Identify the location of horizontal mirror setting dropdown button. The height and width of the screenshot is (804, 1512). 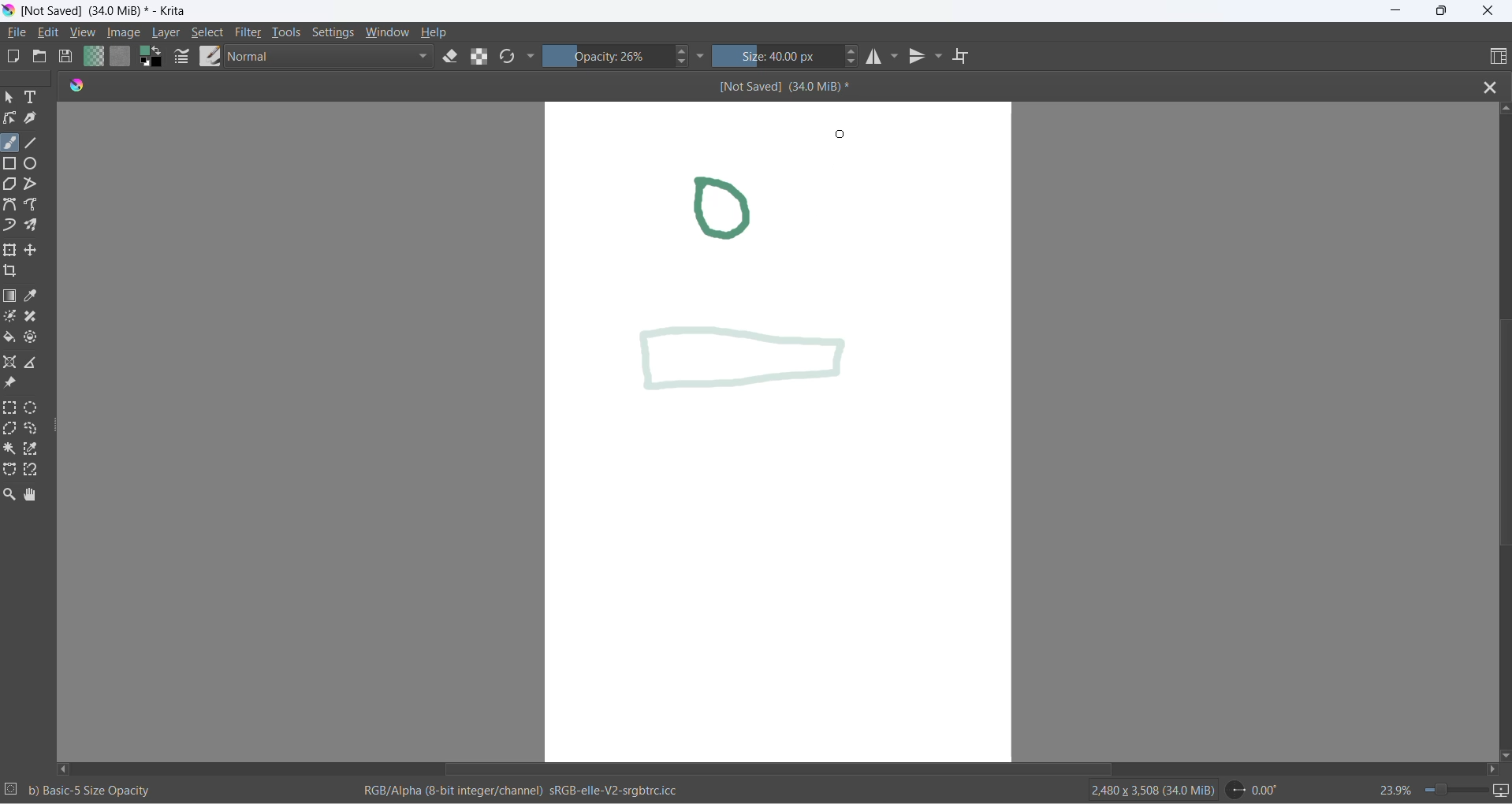
(896, 54).